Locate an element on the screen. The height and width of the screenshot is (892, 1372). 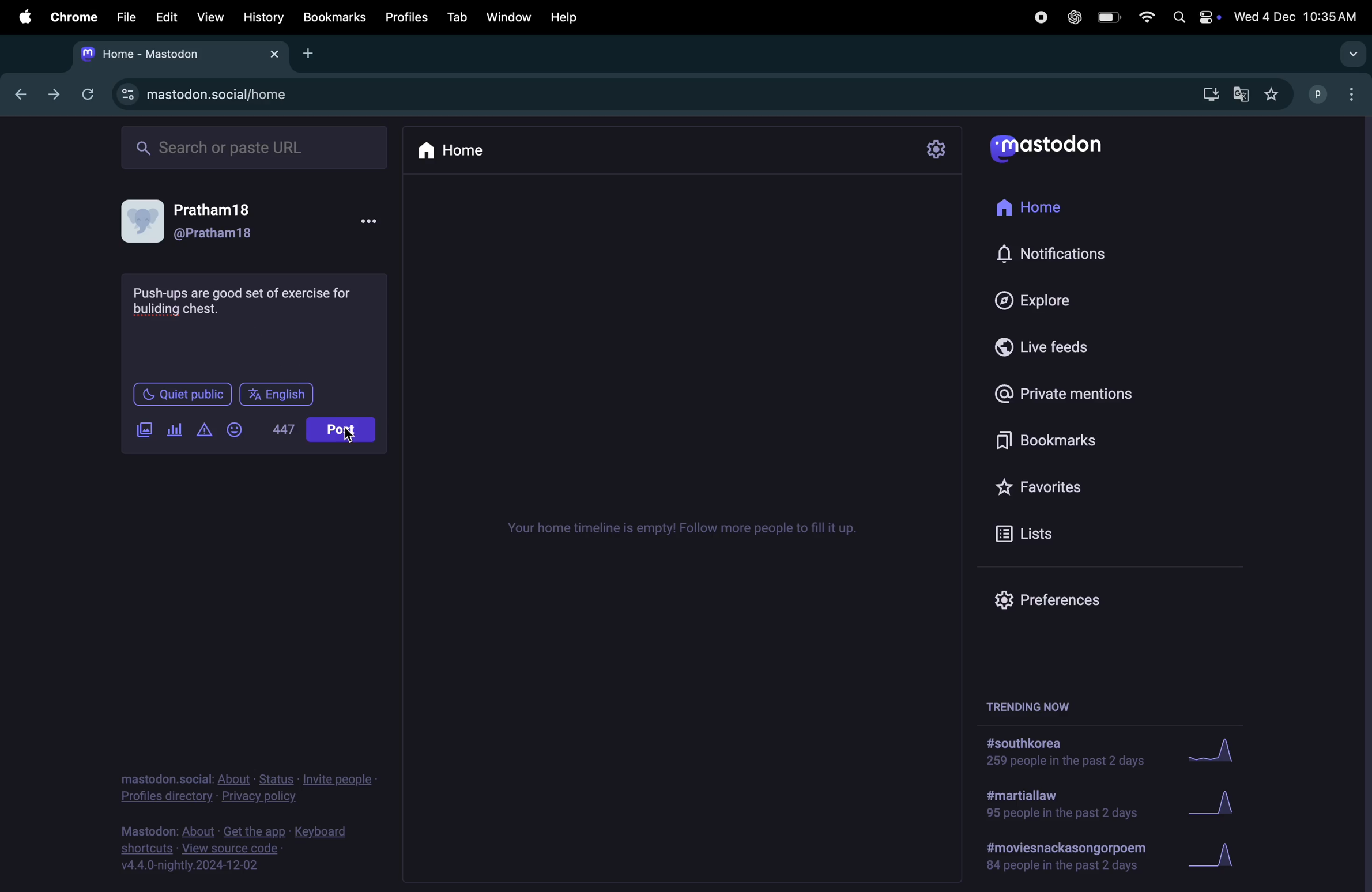
window is located at coordinates (513, 16).